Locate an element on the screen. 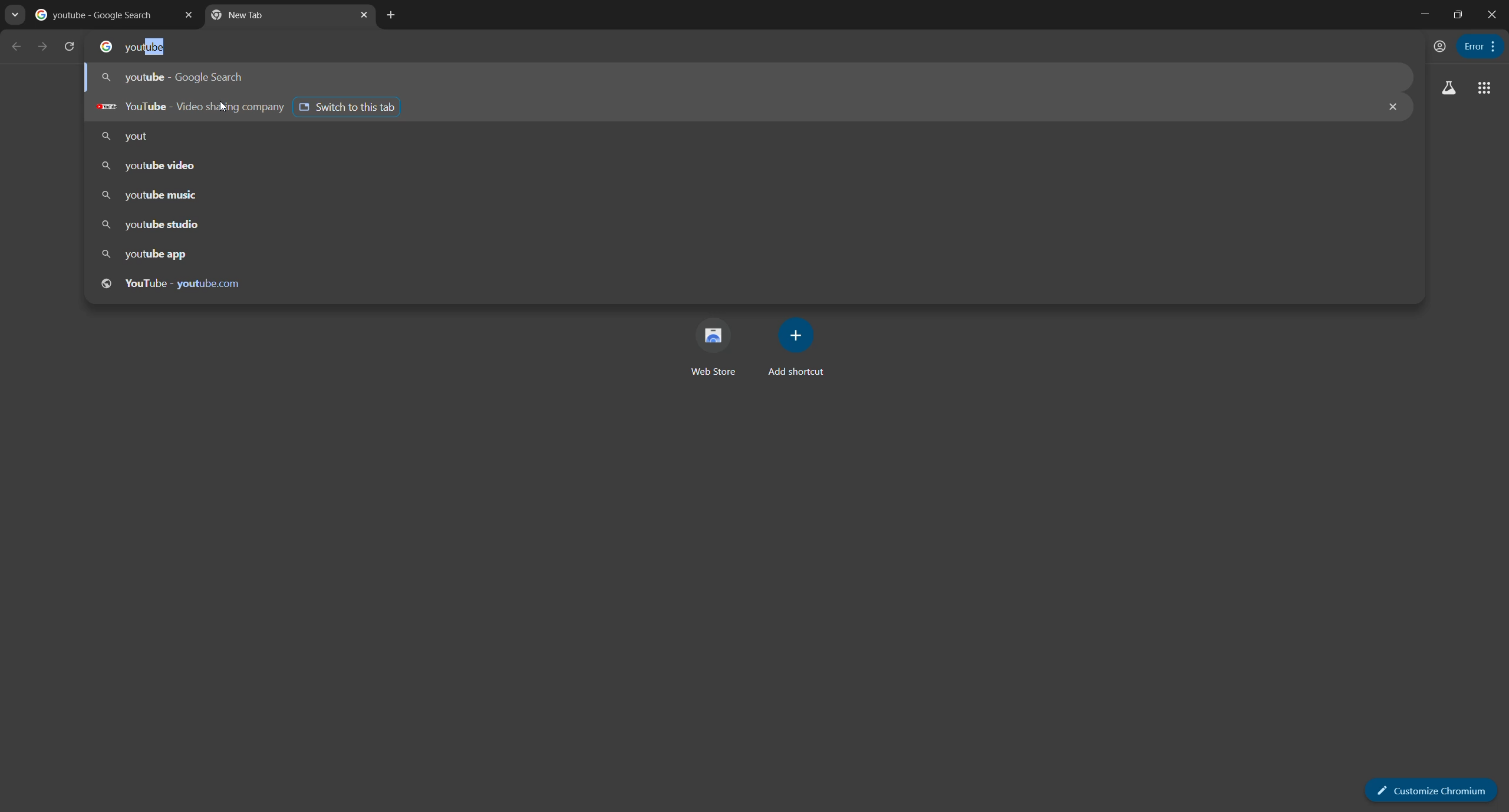  youtube is located at coordinates (147, 48).